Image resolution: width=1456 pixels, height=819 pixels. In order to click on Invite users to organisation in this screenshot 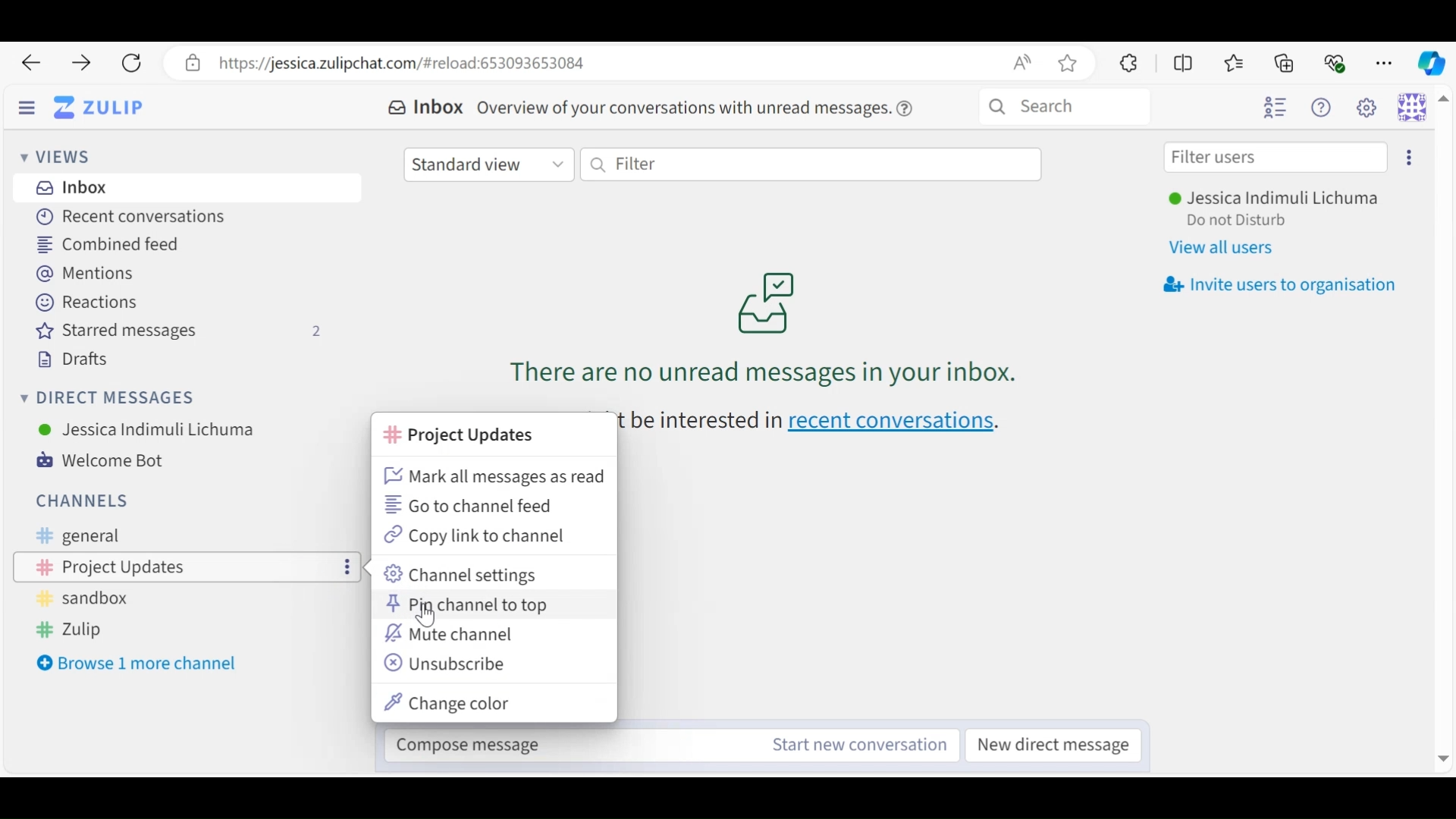, I will do `click(1279, 285)`.